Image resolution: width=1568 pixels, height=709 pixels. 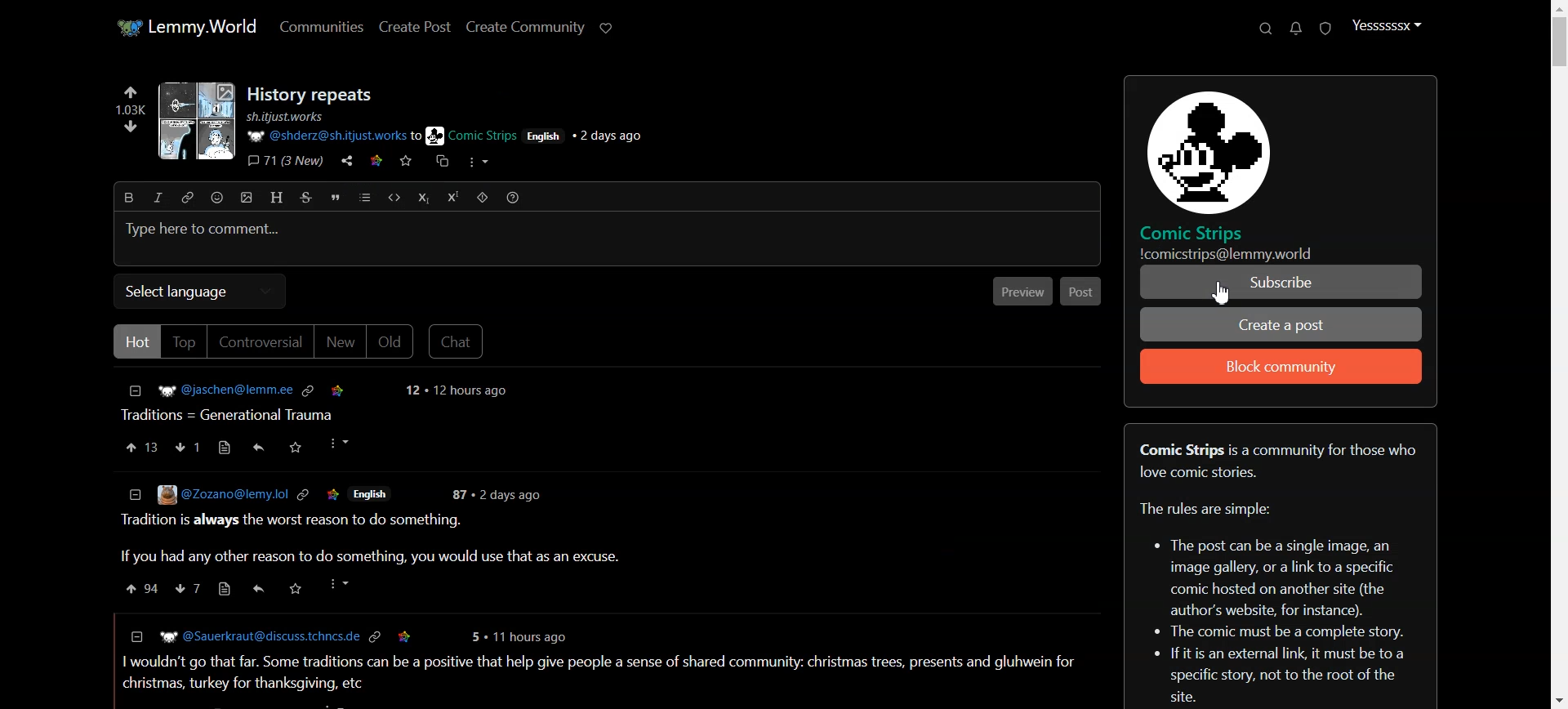 I want to click on Cooment, so click(x=204, y=447).